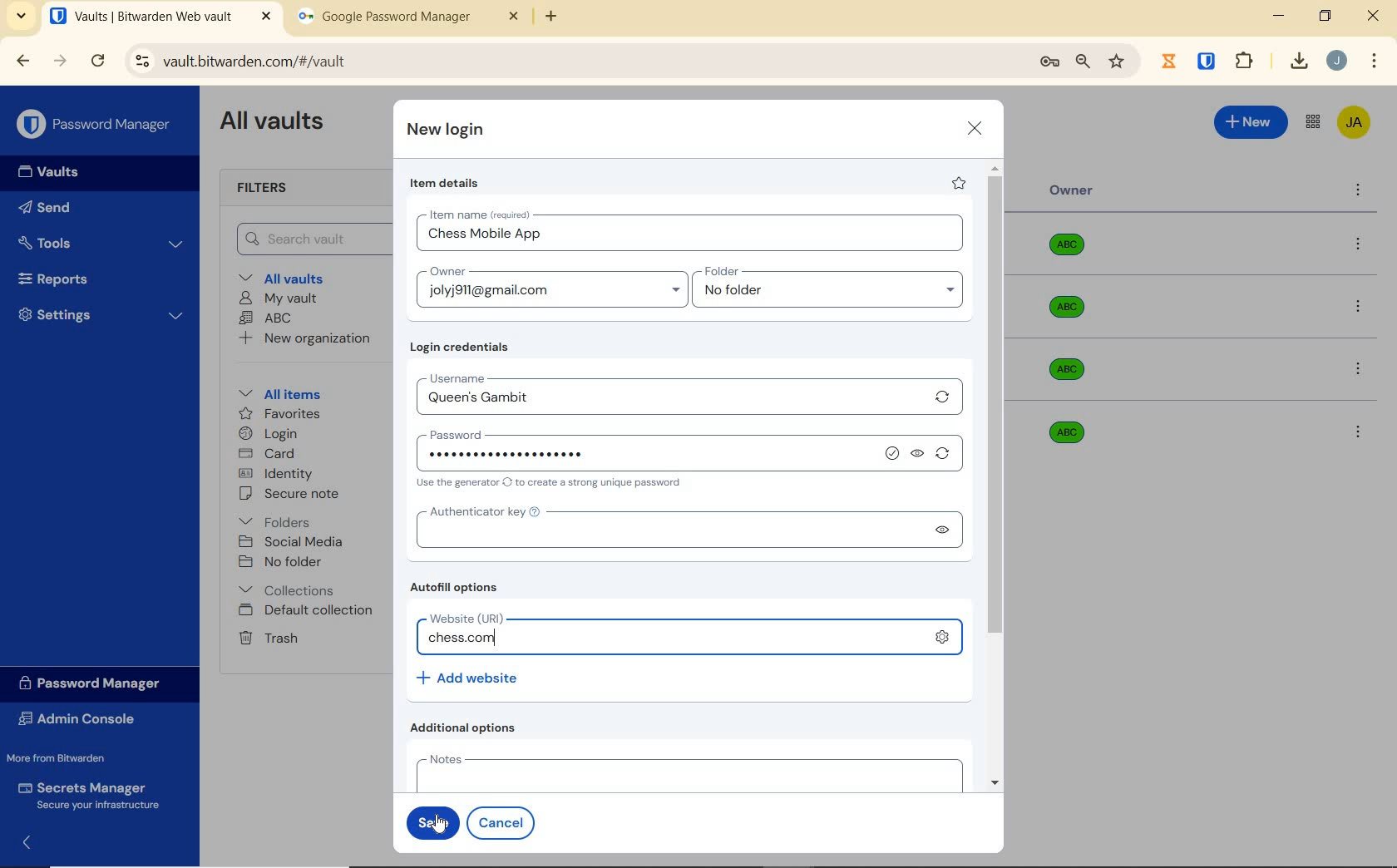 This screenshot has height=868, width=1397. I want to click on close, so click(975, 128).